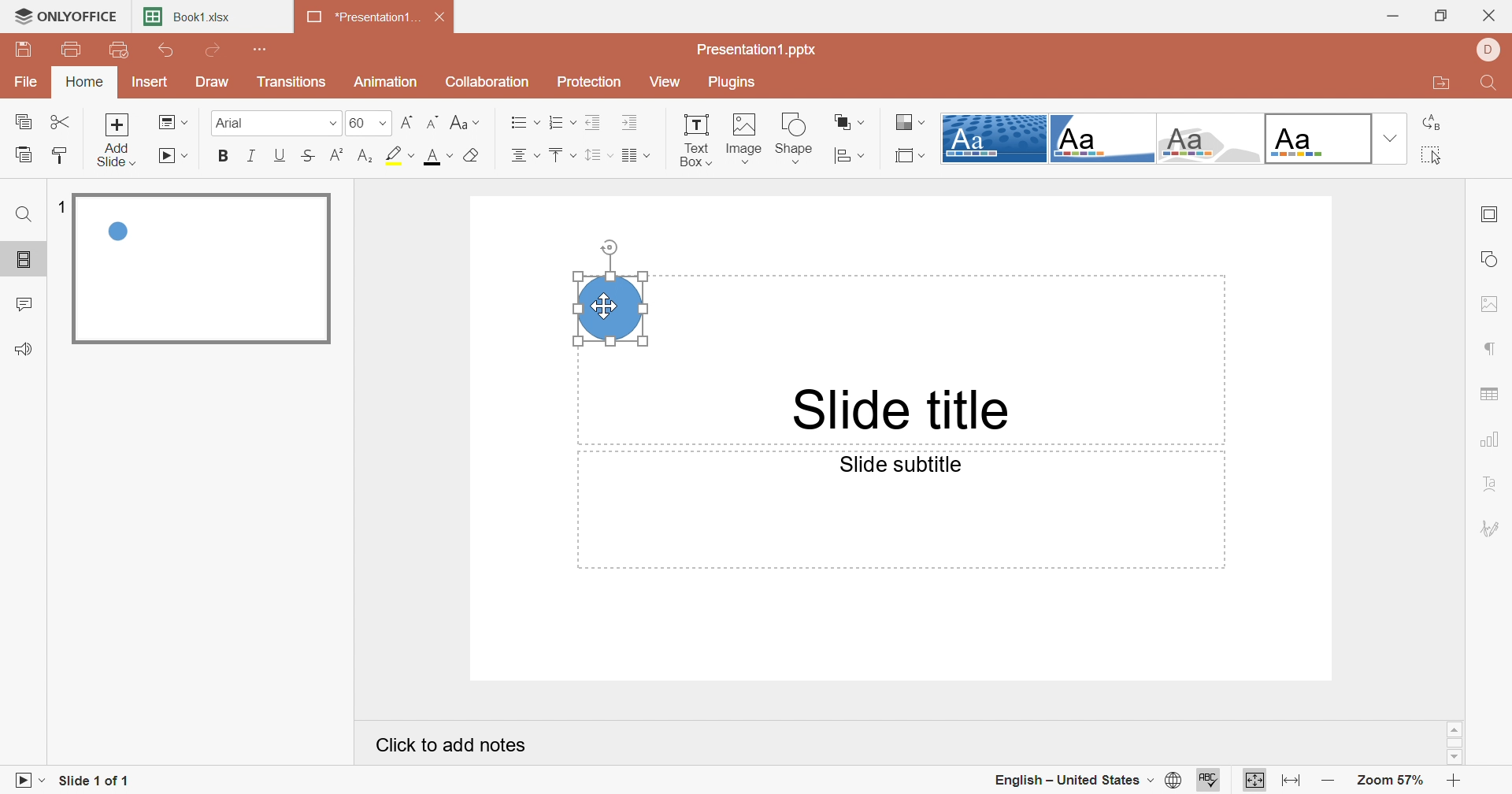  I want to click on Scroll bar, so click(1455, 743).